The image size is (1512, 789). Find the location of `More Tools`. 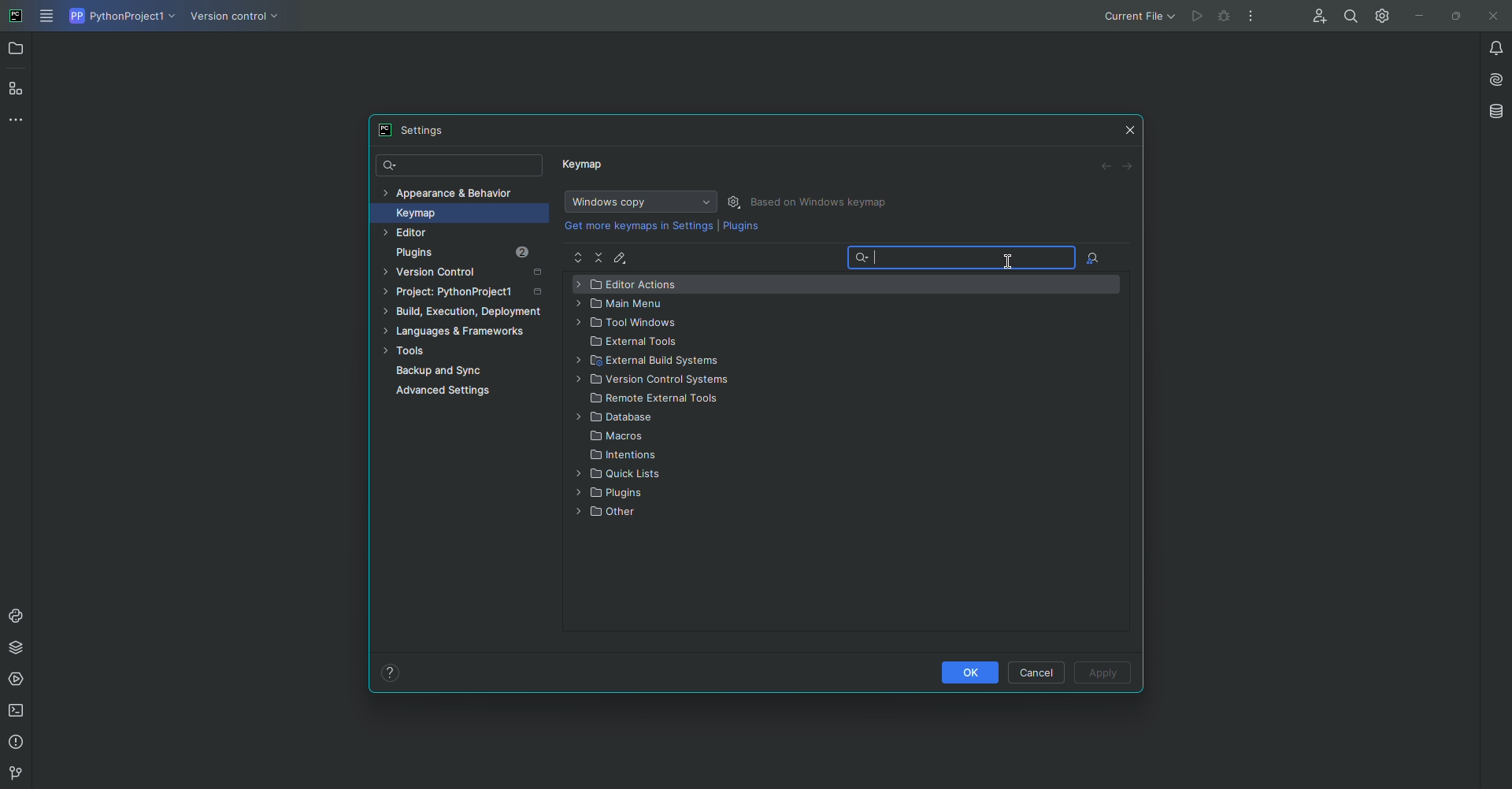

More Tools is located at coordinates (20, 119).